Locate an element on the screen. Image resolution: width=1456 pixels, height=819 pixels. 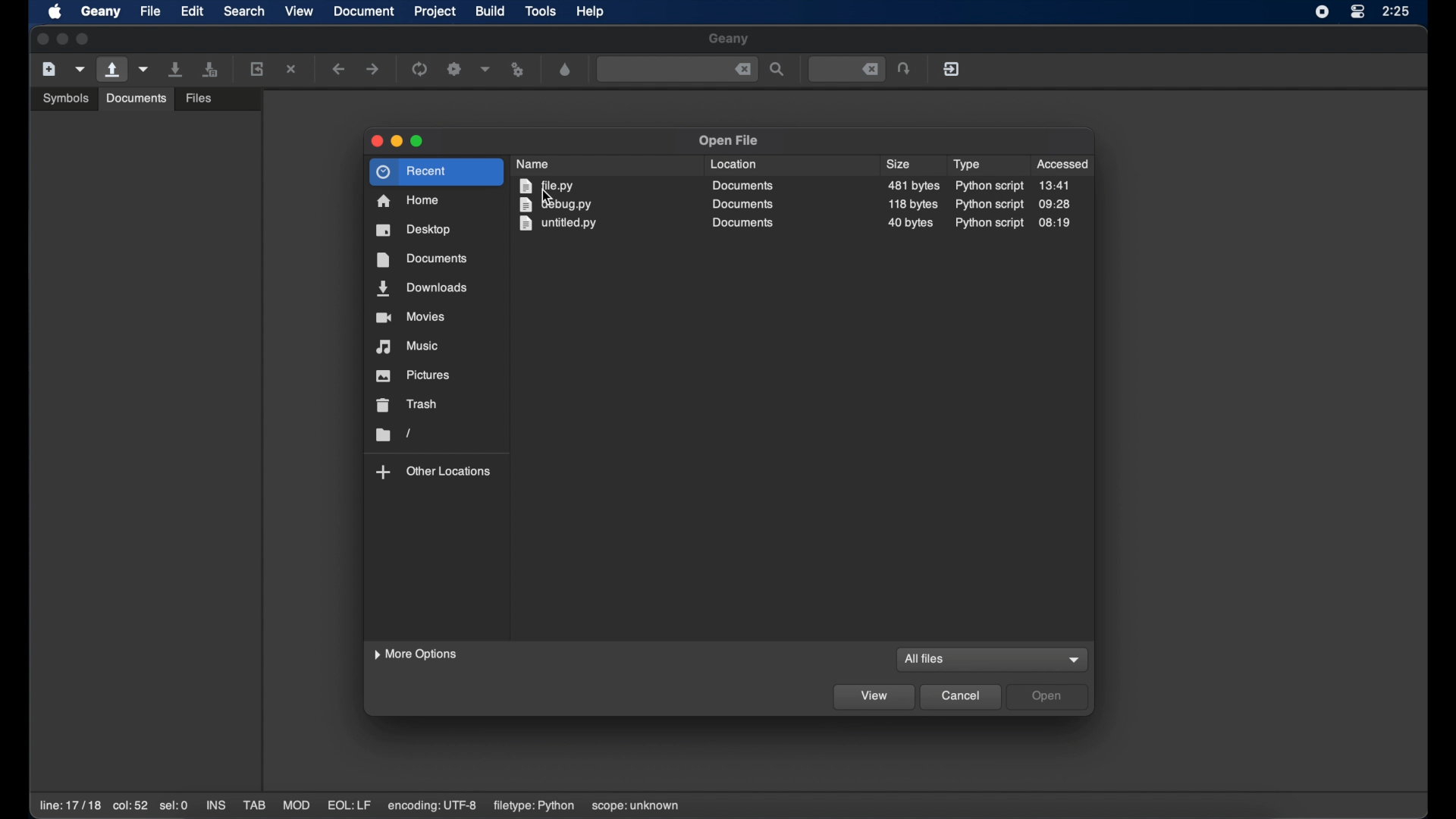
folder is located at coordinates (394, 435).